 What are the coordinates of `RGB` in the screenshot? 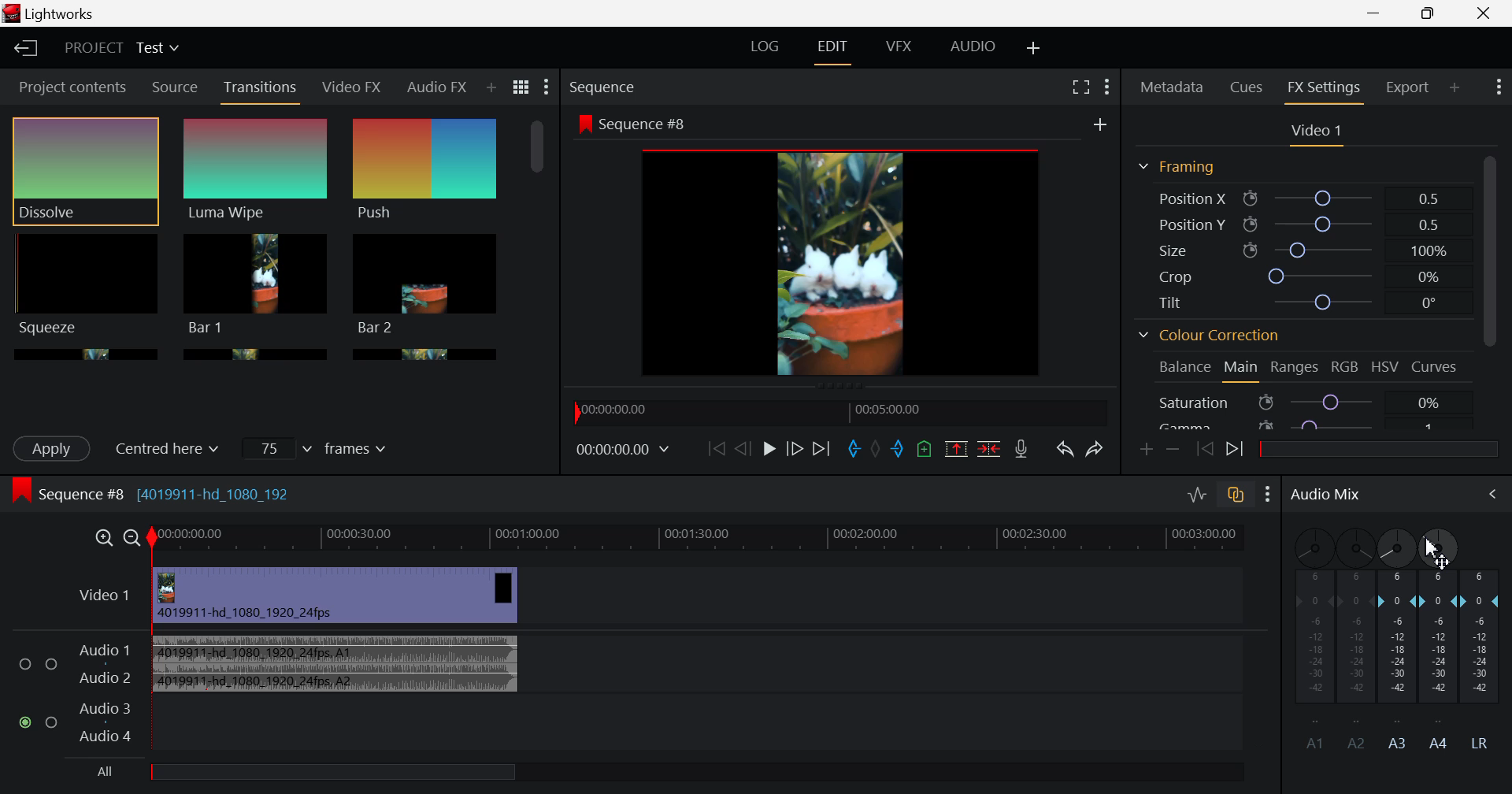 It's located at (1347, 367).